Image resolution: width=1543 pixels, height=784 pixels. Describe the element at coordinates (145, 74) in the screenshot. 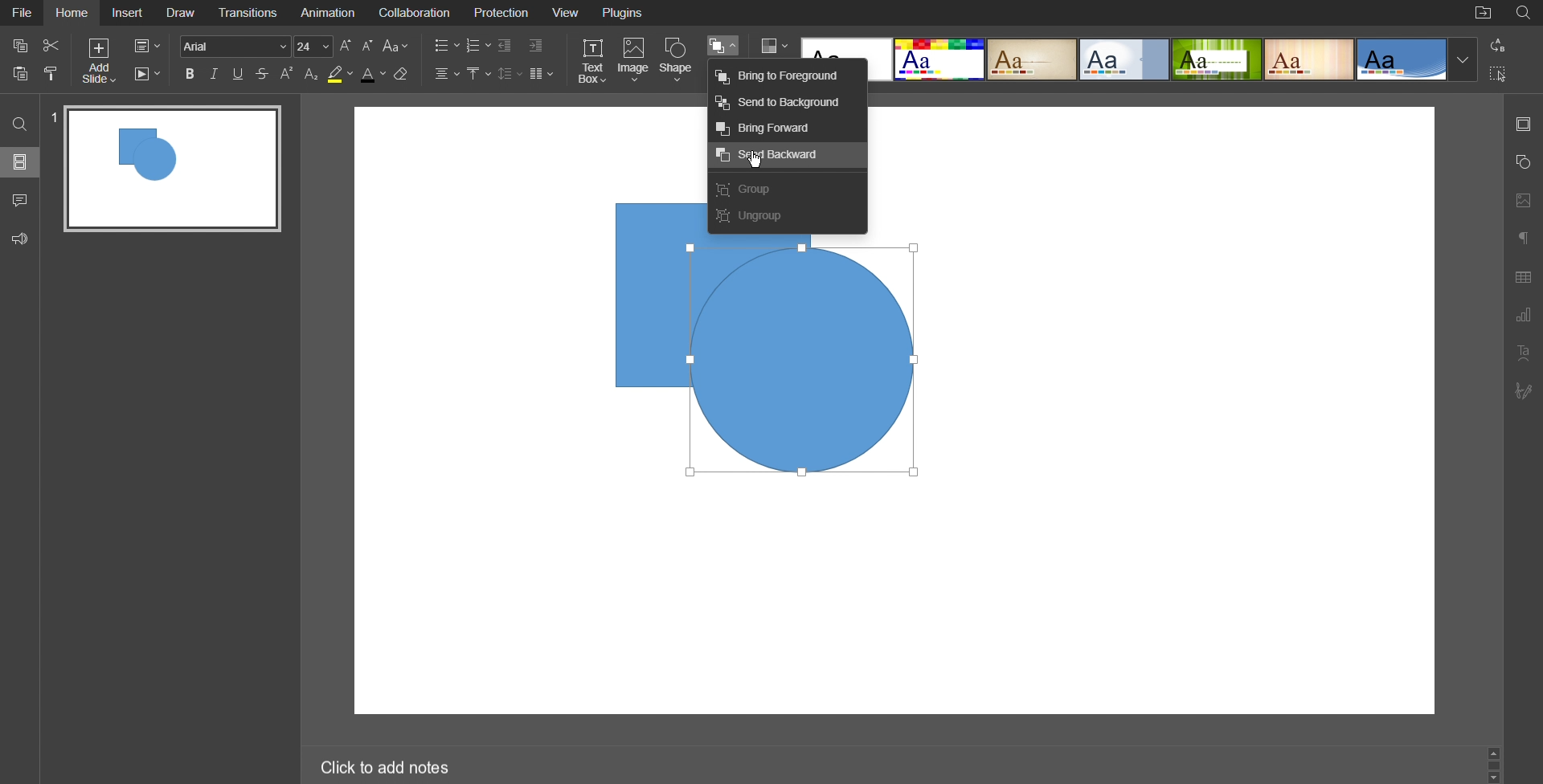

I see `Playback Settings` at that location.